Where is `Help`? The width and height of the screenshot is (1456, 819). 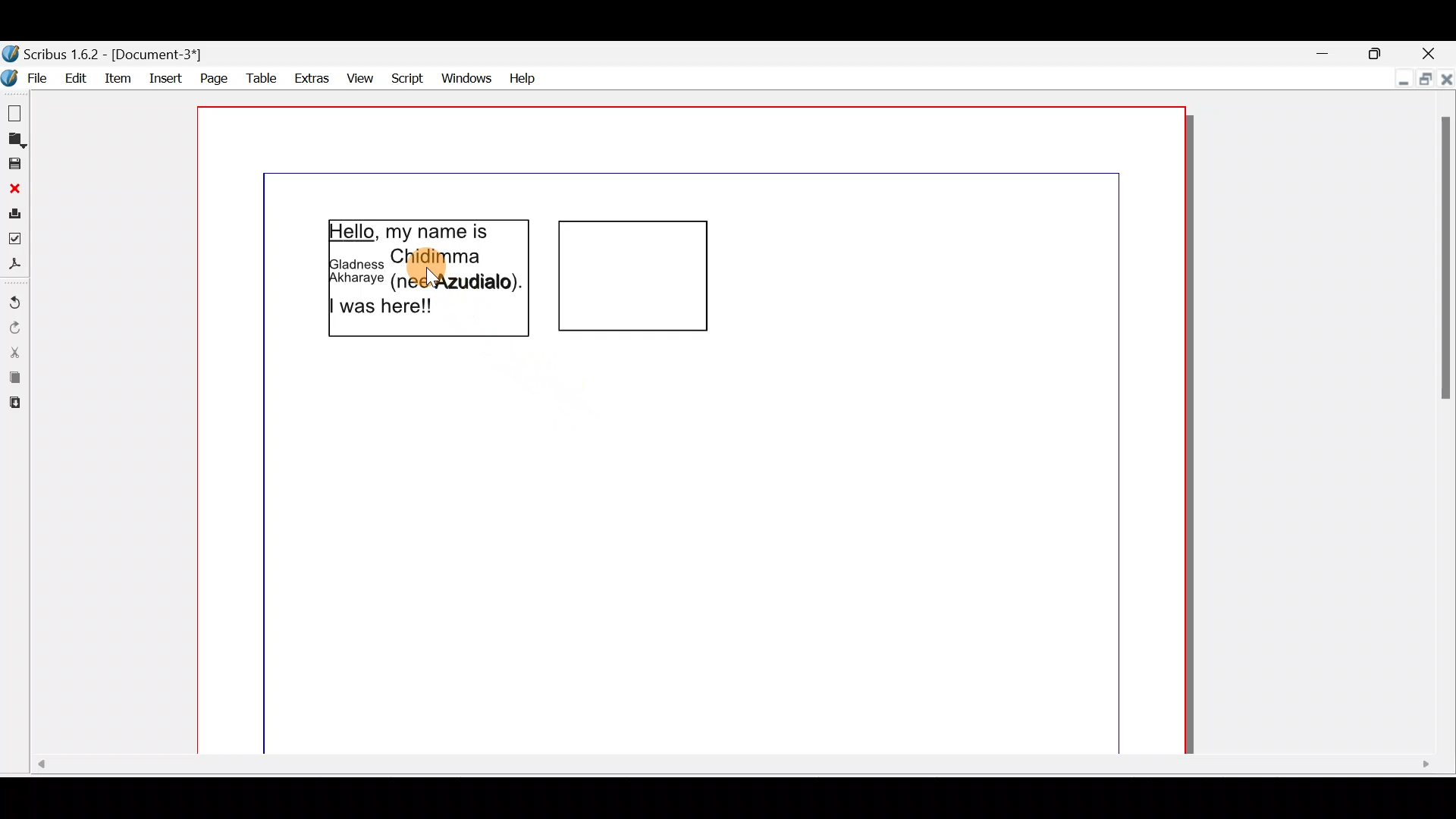 Help is located at coordinates (524, 77).